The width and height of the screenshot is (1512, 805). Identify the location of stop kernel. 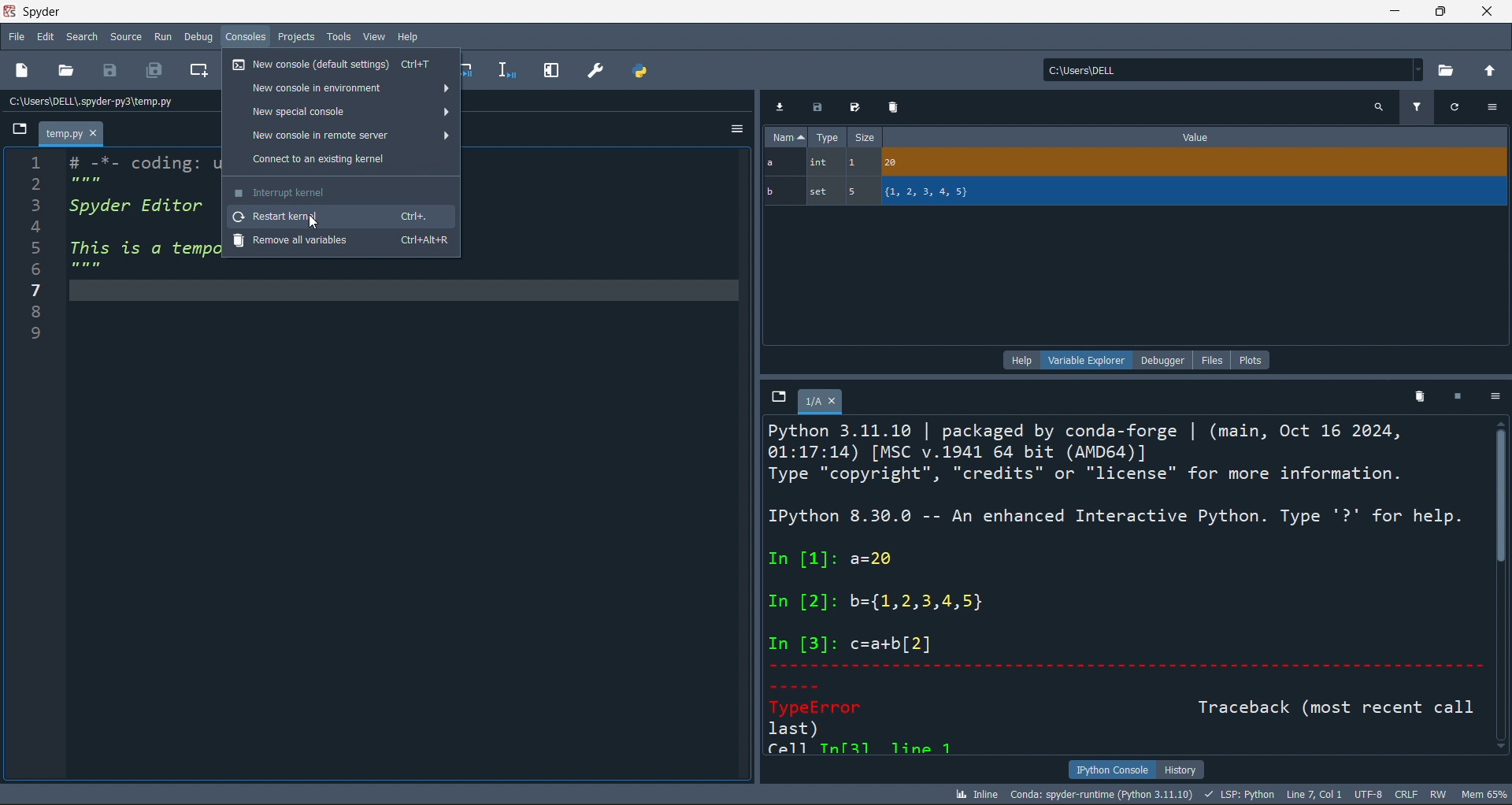
(1458, 399).